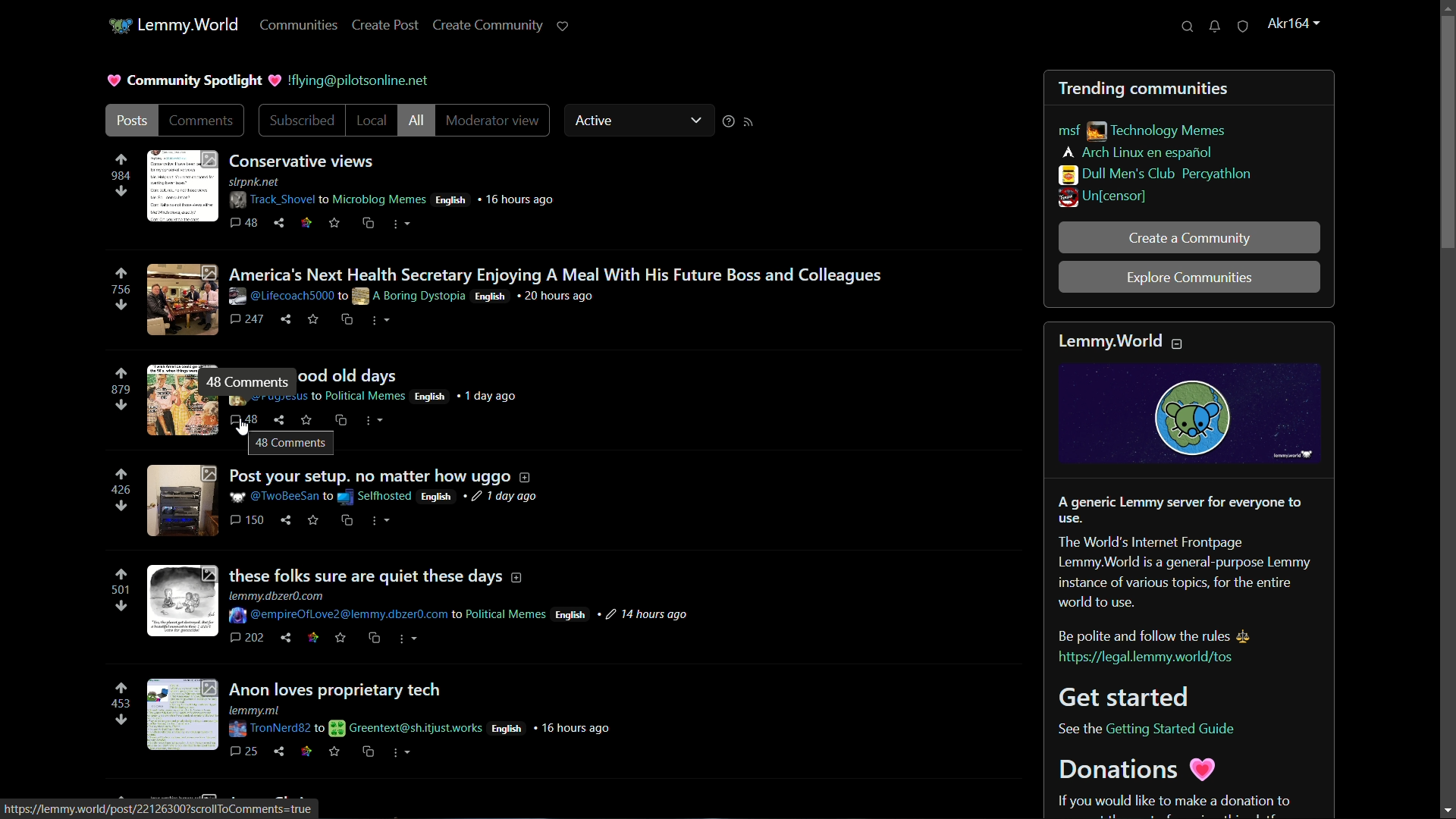 This screenshot has height=819, width=1456. I want to click on technology memes, so click(1163, 131).